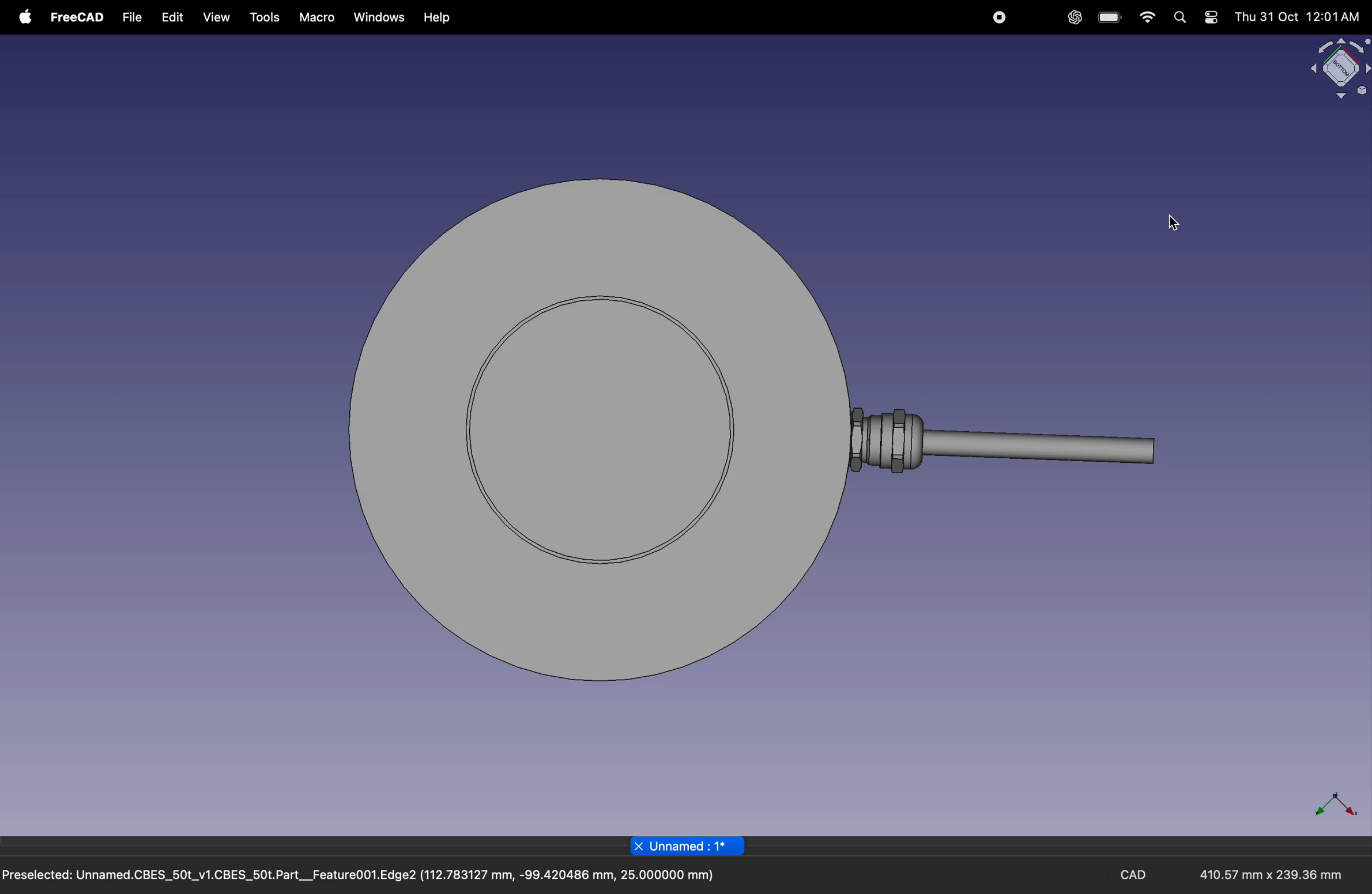  What do you see at coordinates (27, 18) in the screenshot?
I see `apple menu` at bounding box center [27, 18].